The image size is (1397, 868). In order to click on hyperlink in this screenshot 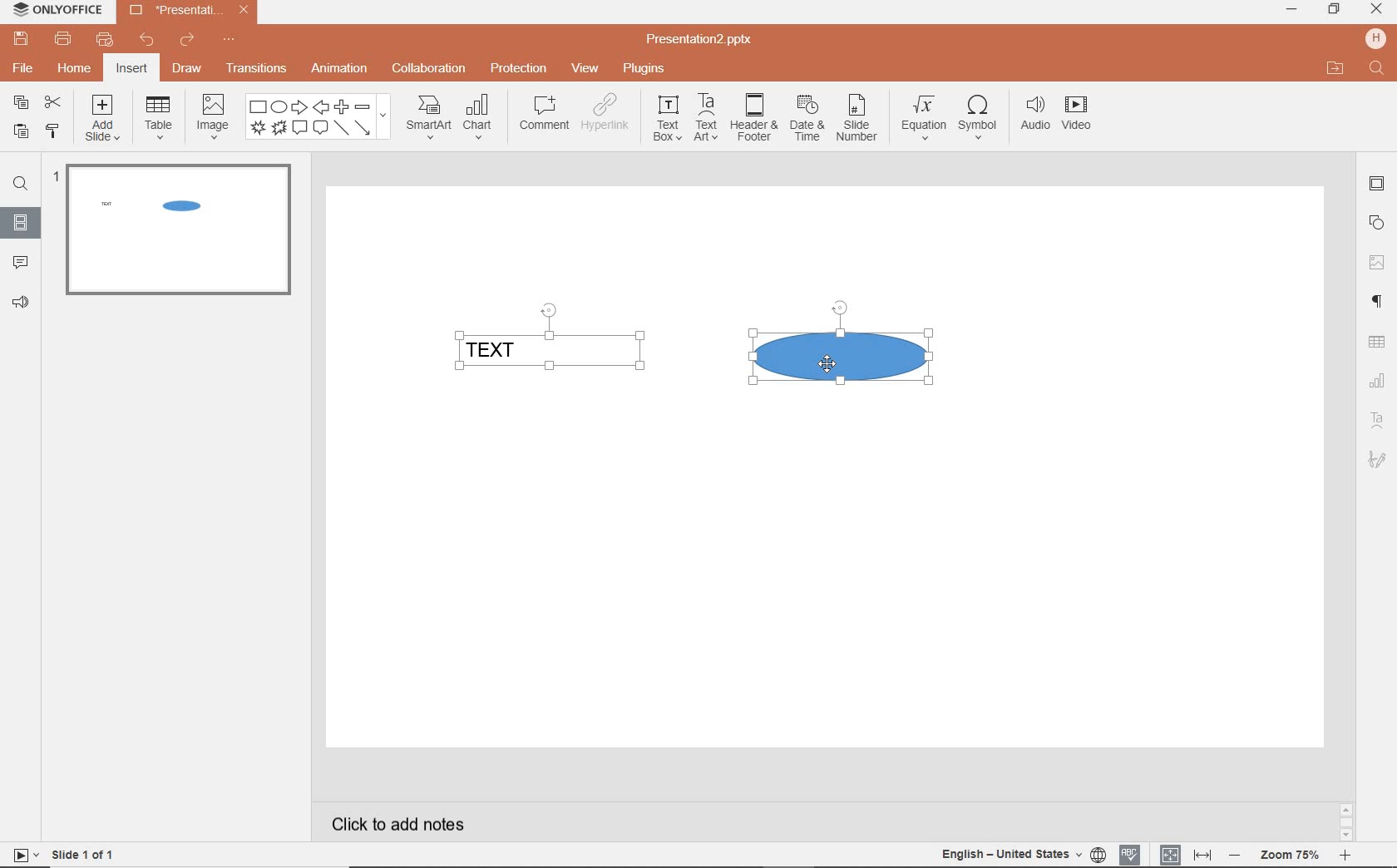, I will do `click(606, 114)`.